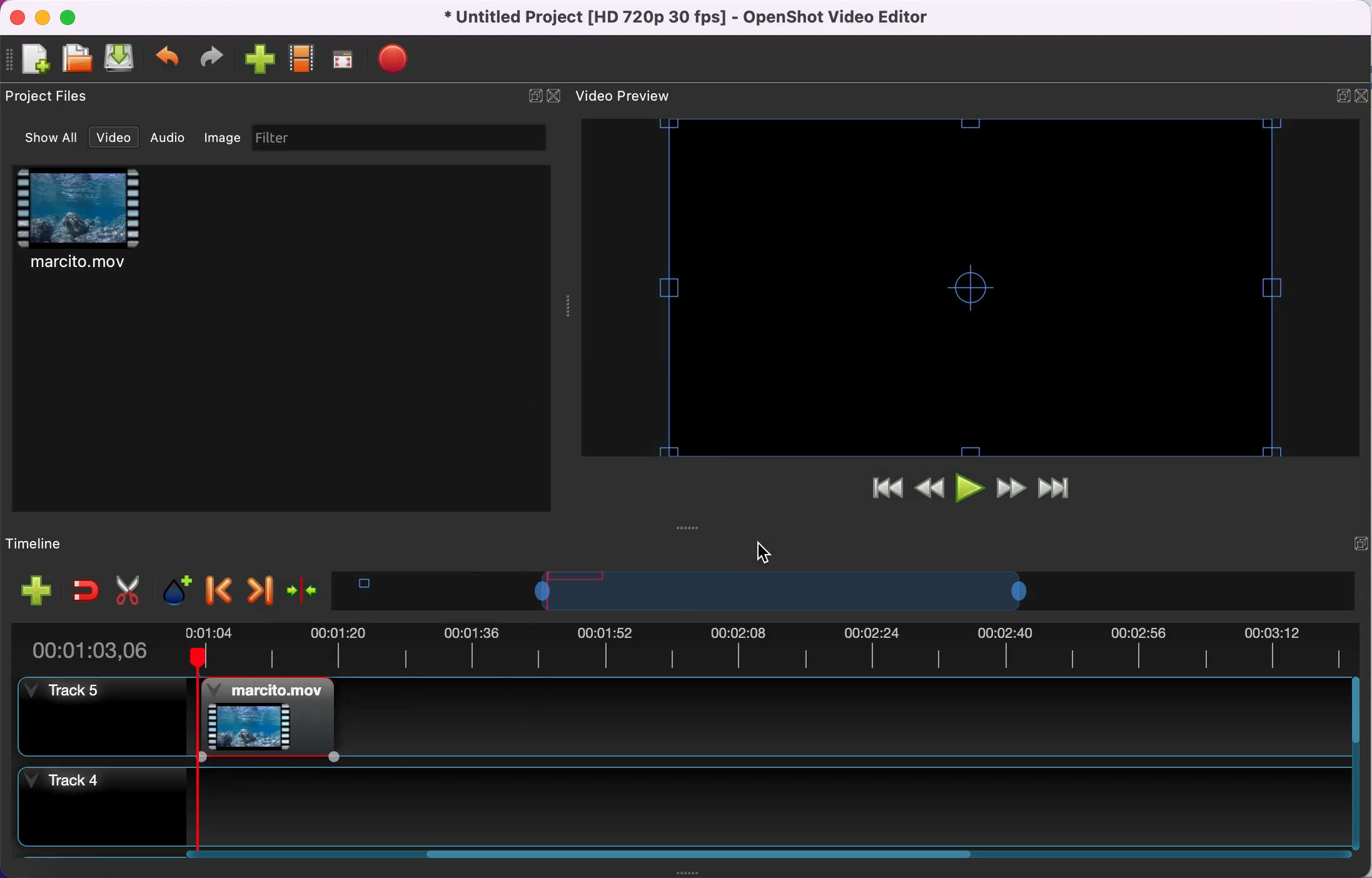  Describe the element at coordinates (43, 18) in the screenshot. I see `minimize` at that location.